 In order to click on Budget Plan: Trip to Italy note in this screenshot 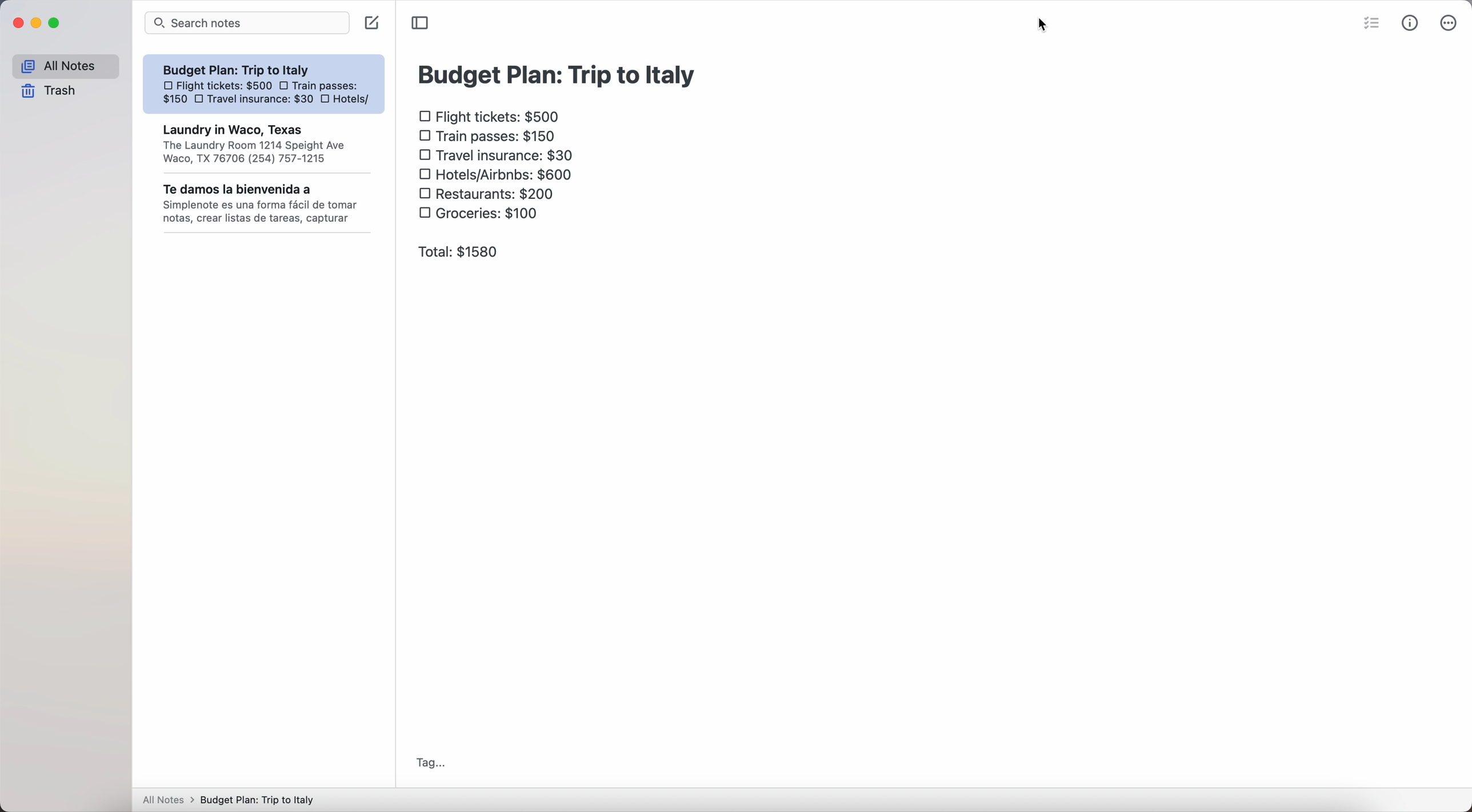, I will do `click(265, 85)`.